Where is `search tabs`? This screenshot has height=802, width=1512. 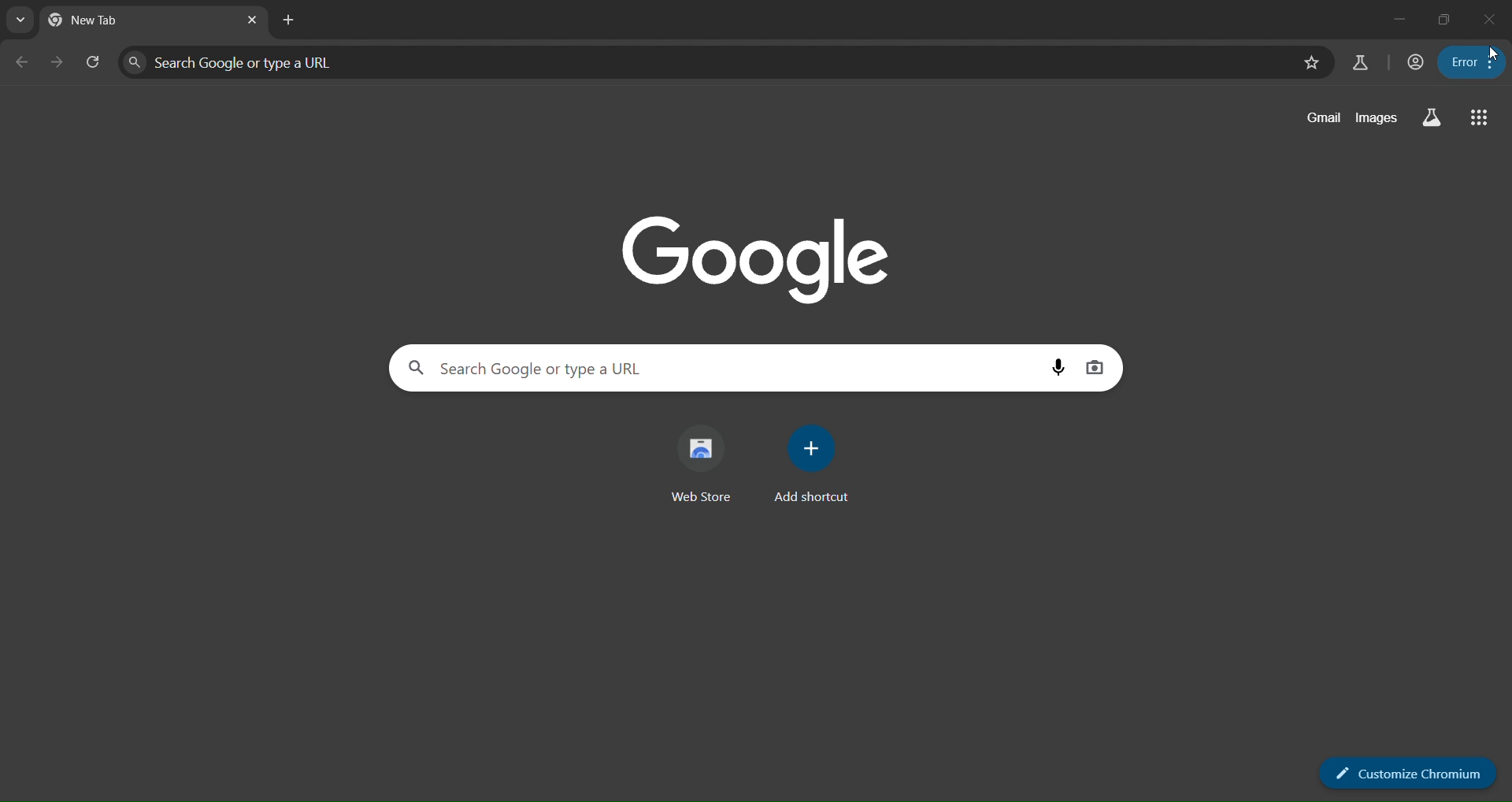
search tabs is located at coordinates (24, 23).